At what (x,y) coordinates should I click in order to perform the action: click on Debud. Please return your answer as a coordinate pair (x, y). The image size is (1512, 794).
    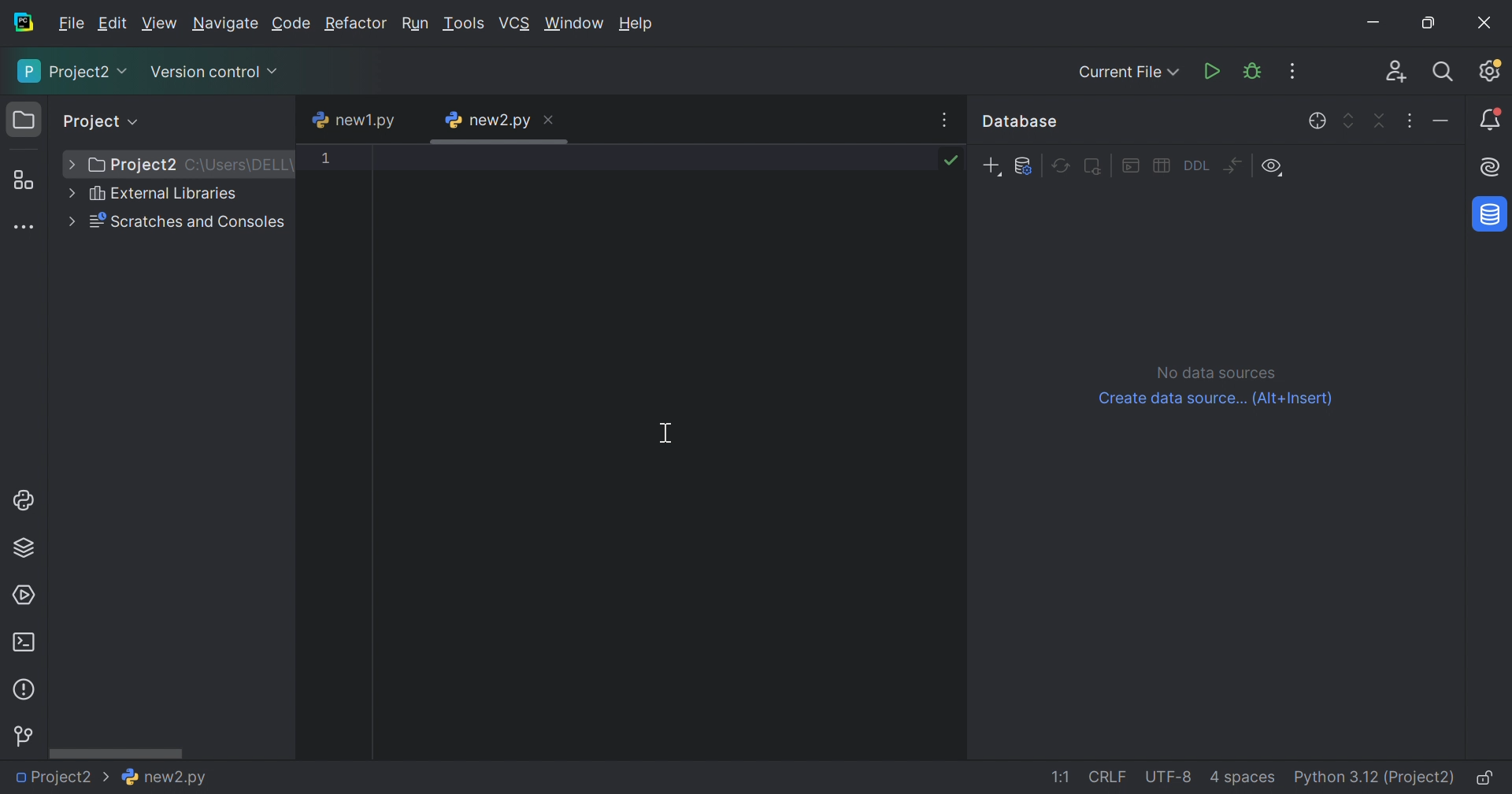
    Looking at the image, I should click on (1252, 73).